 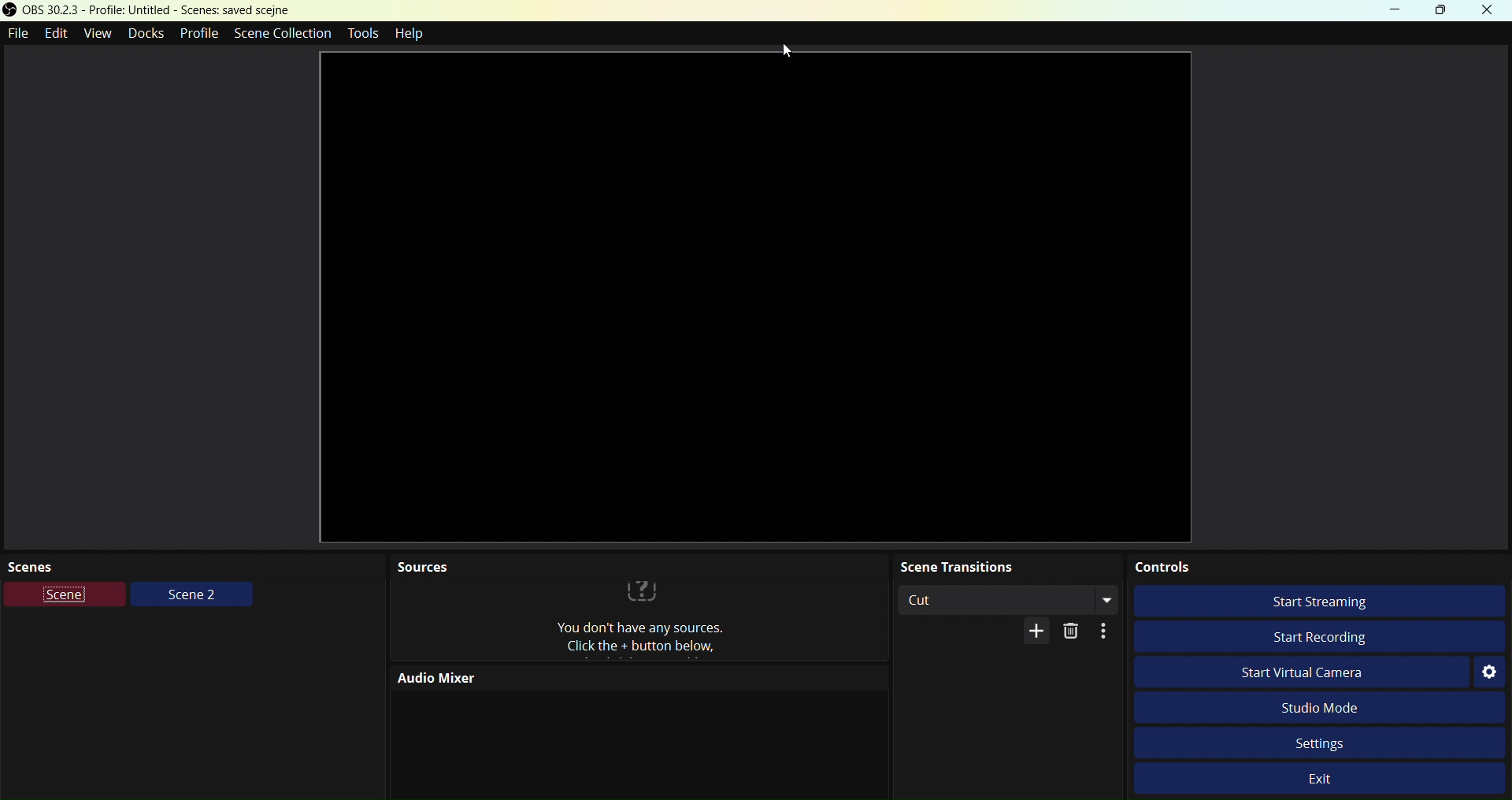 What do you see at coordinates (757, 296) in the screenshot?
I see `Video preview` at bounding box center [757, 296].